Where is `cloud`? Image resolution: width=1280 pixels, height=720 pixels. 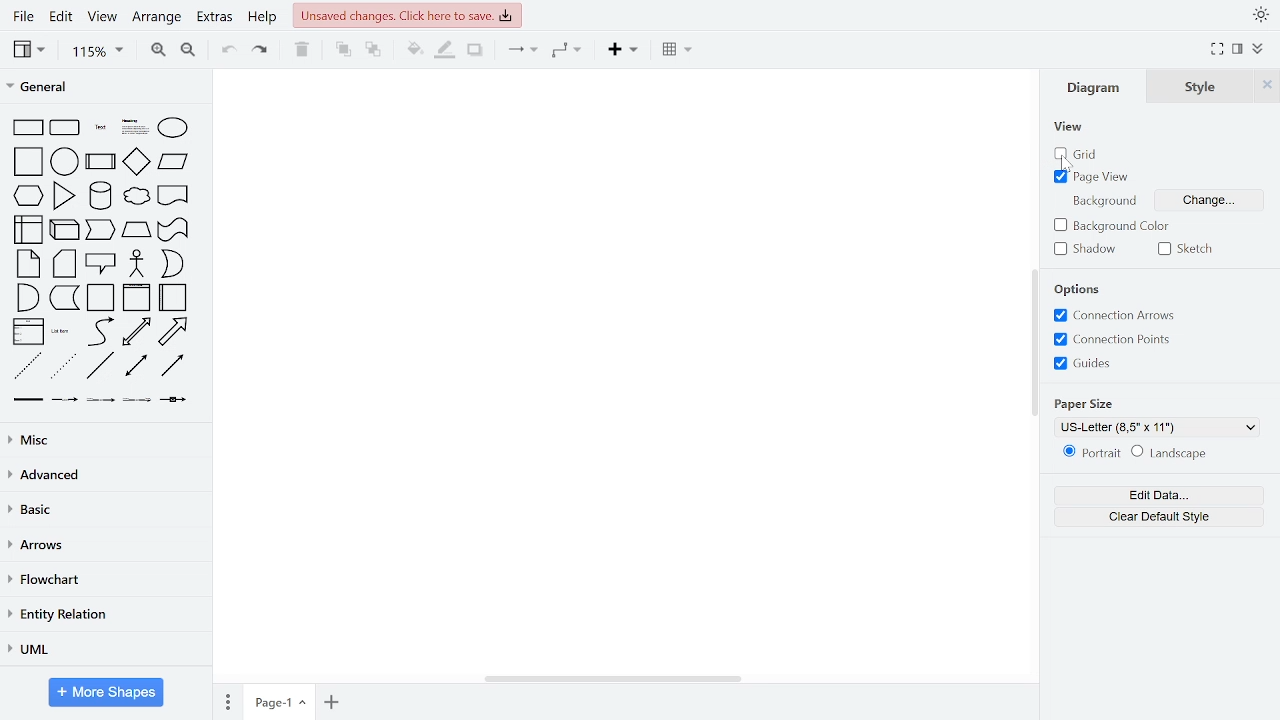
cloud is located at coordinates (135, 197).